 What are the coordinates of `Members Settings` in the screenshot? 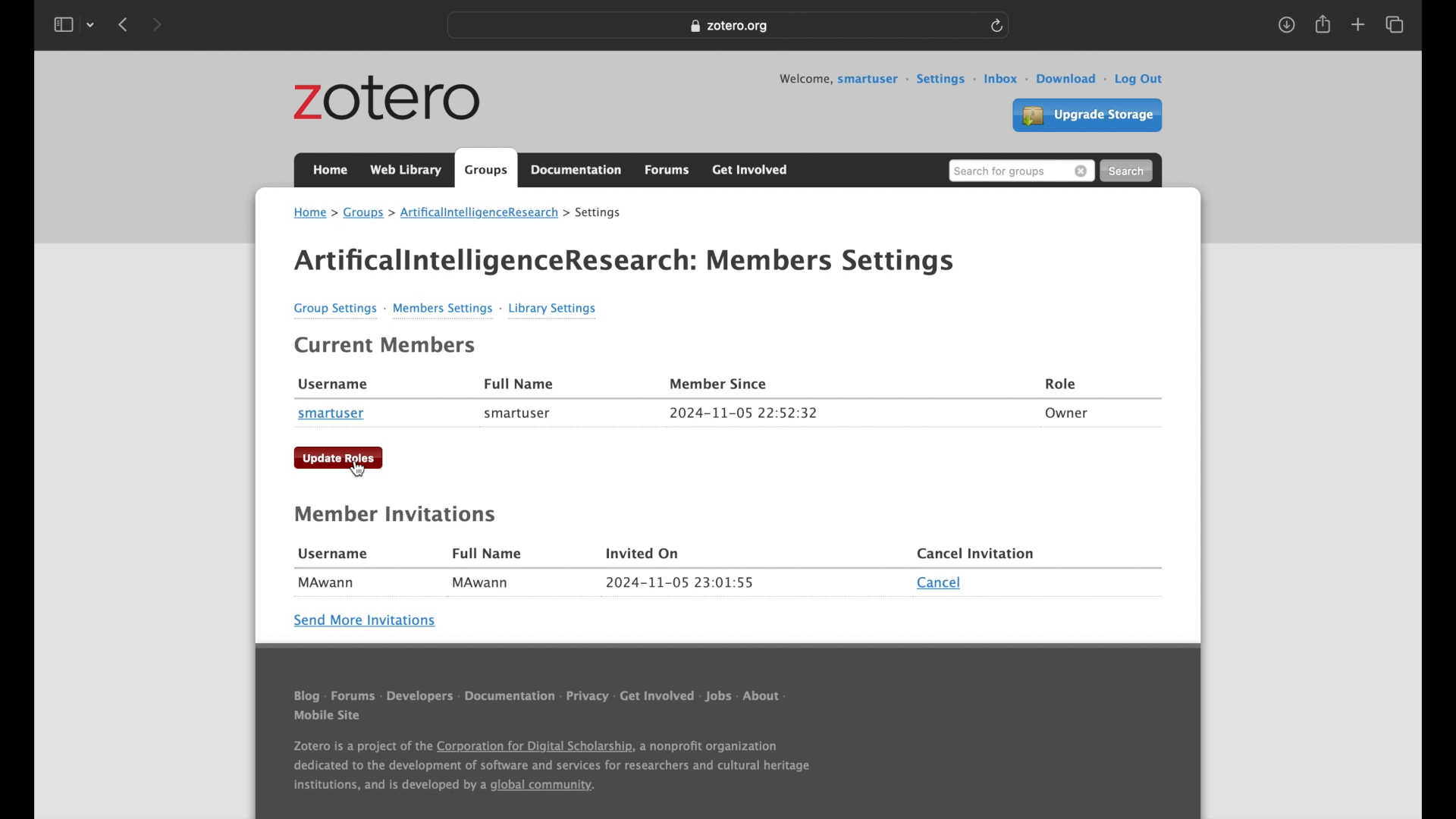 It's located at (444, 309).